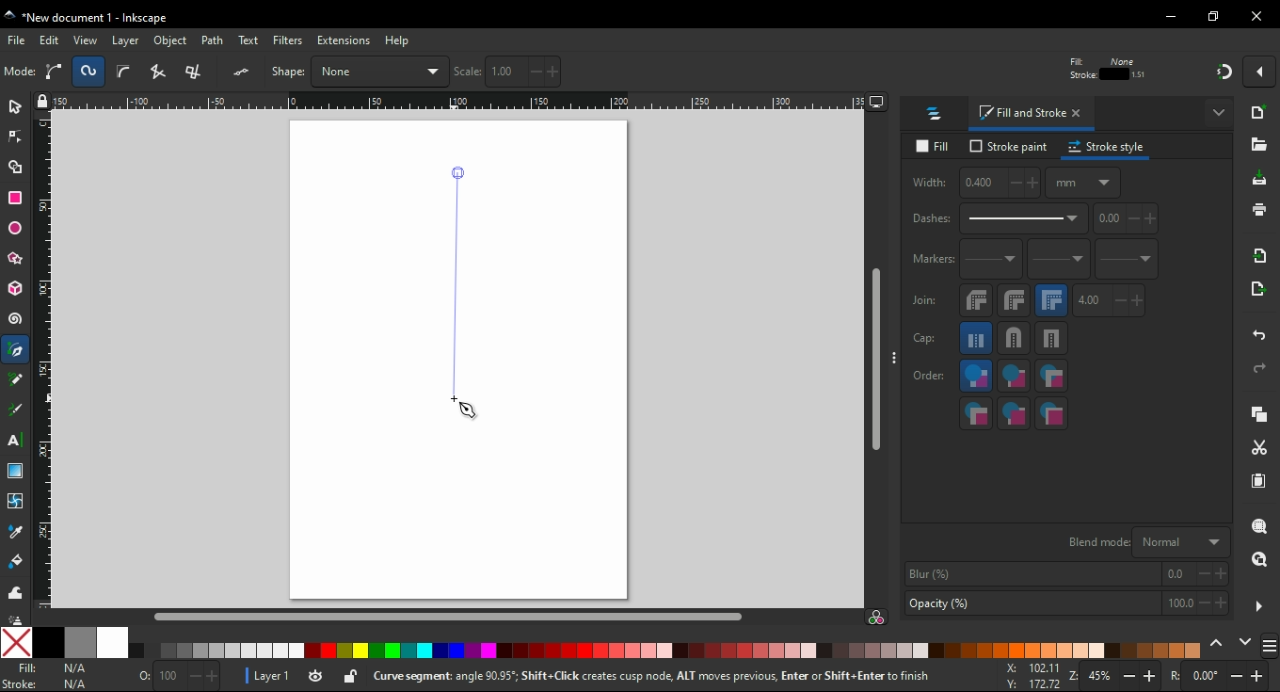 This screenshot has height=692, width=1280. What do you see at coordinates (1259, 565) in the screenshot?
I see `zoom drawing` at bounding box center [1259, 565].